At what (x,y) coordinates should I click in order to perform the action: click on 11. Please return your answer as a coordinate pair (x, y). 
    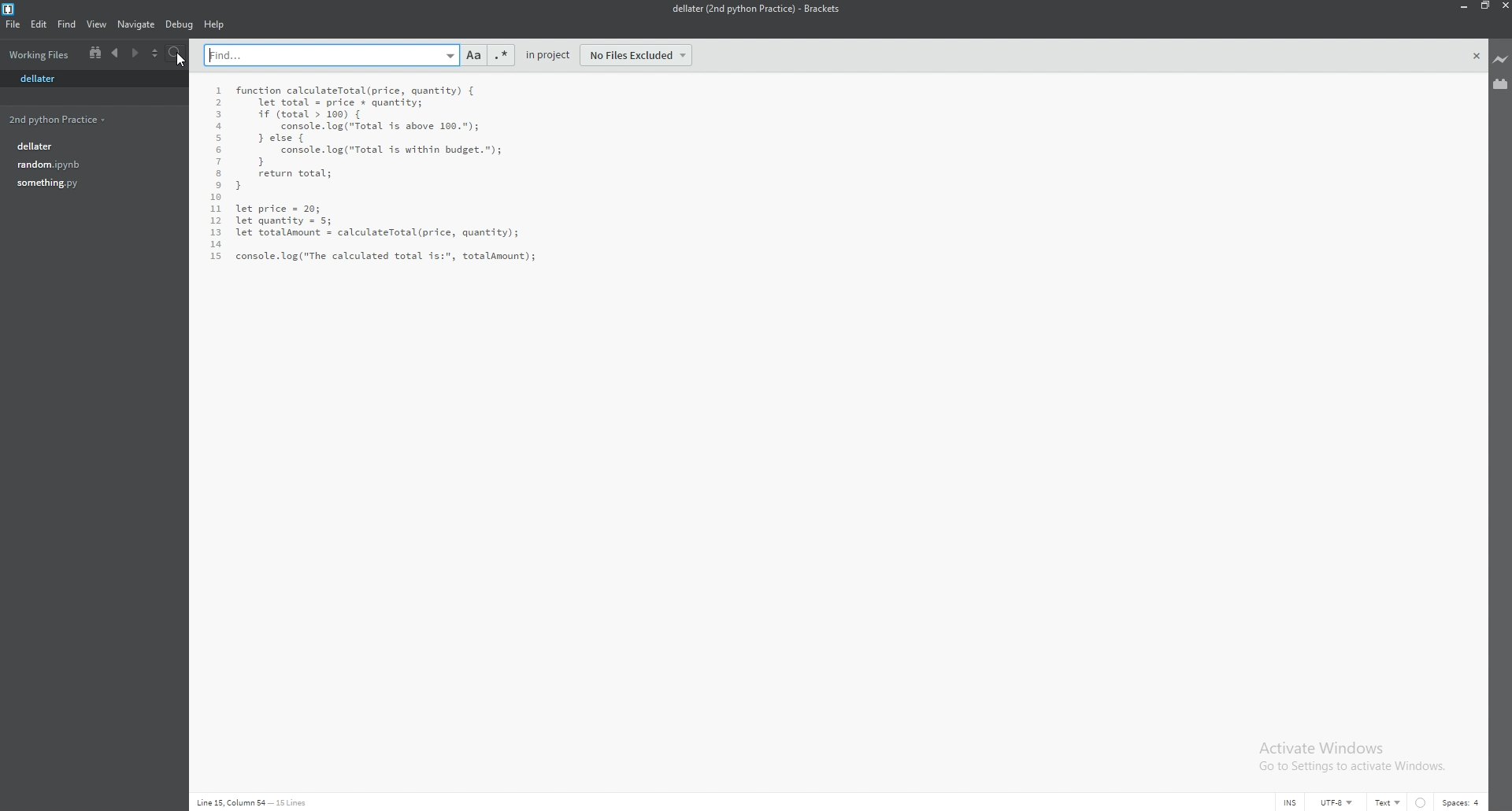
    Looking at the image, I should click on (216, 209).